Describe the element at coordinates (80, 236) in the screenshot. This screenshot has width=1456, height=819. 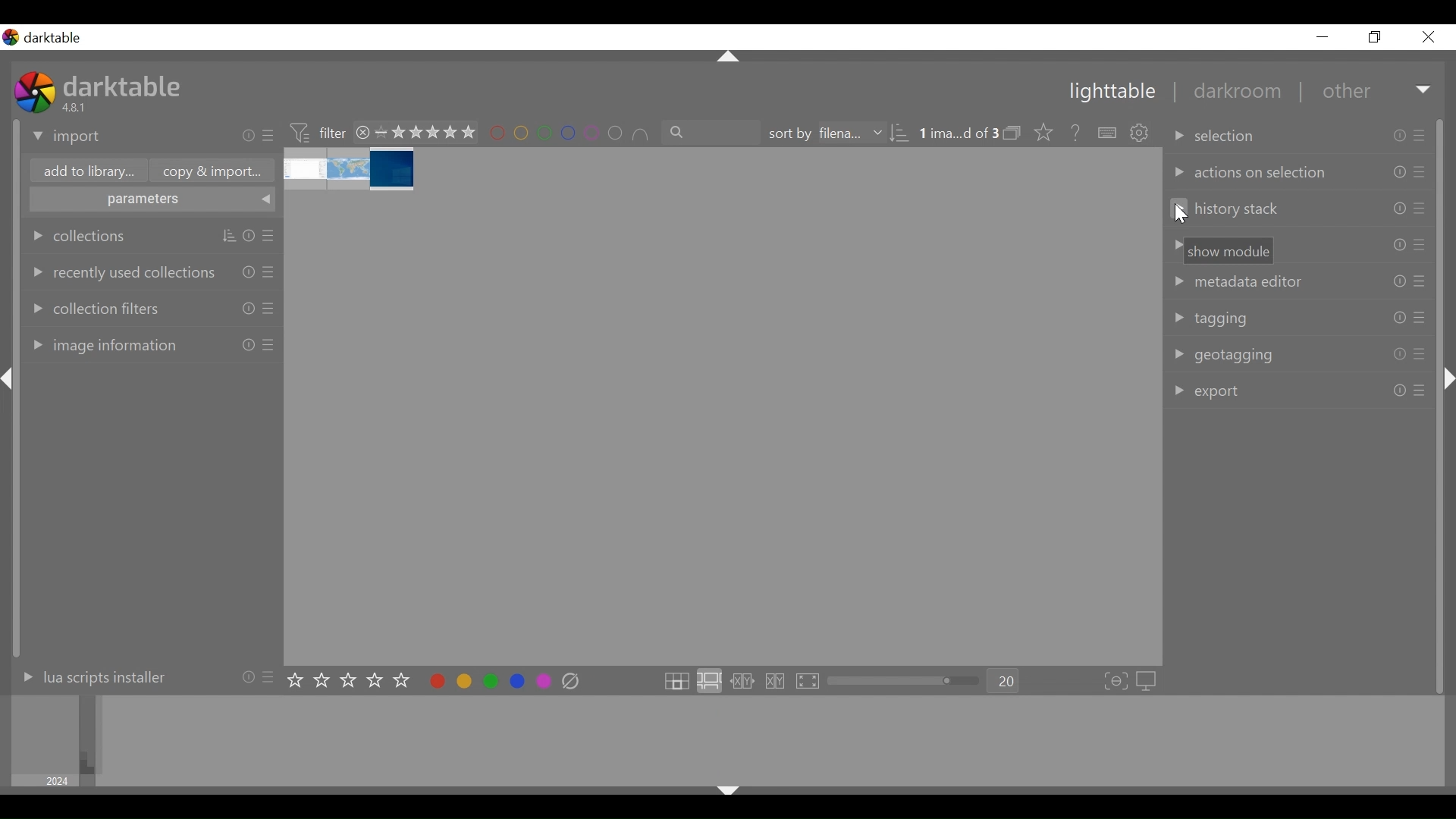
I see `collections` at that location.